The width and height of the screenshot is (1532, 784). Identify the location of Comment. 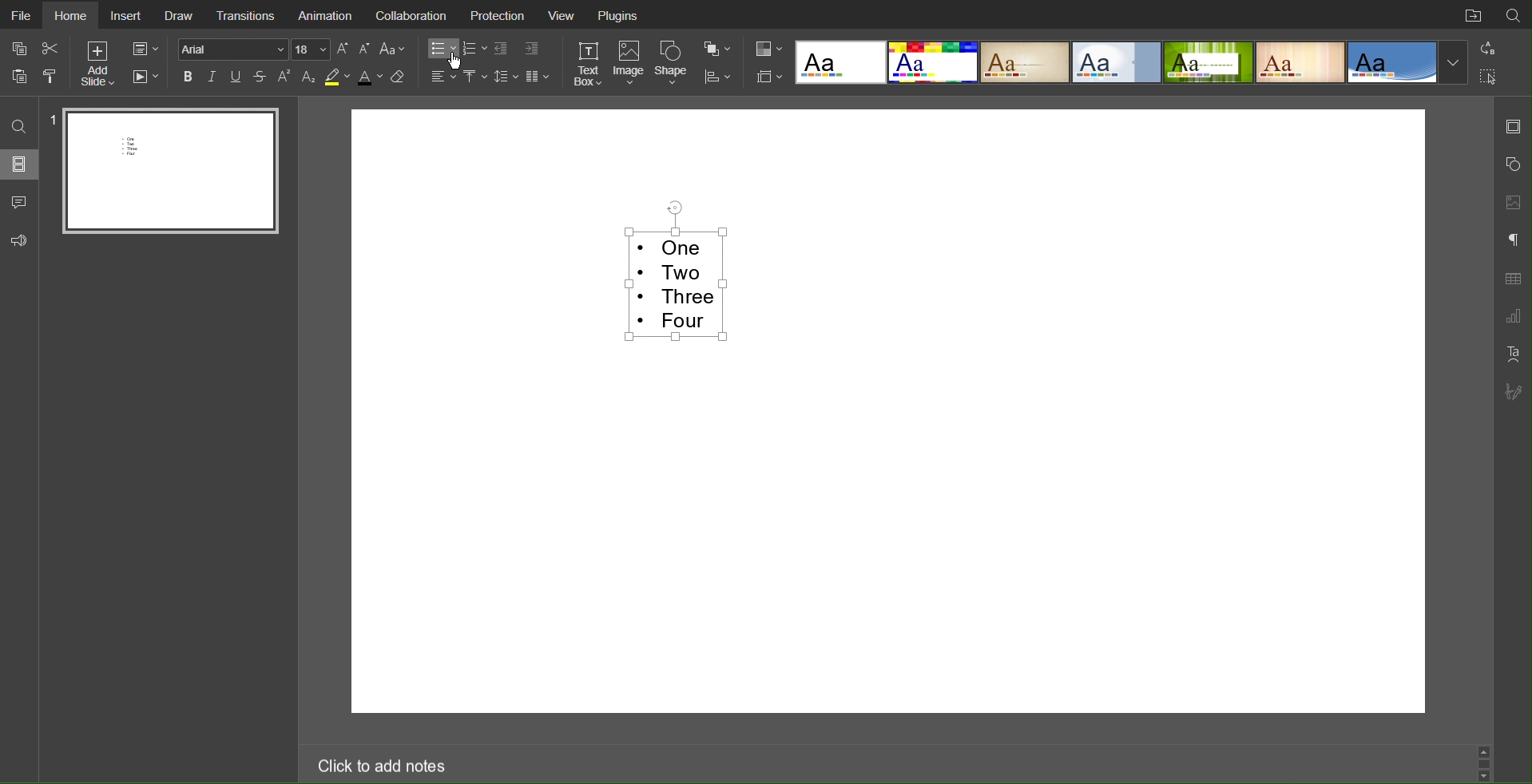
(20, 202).